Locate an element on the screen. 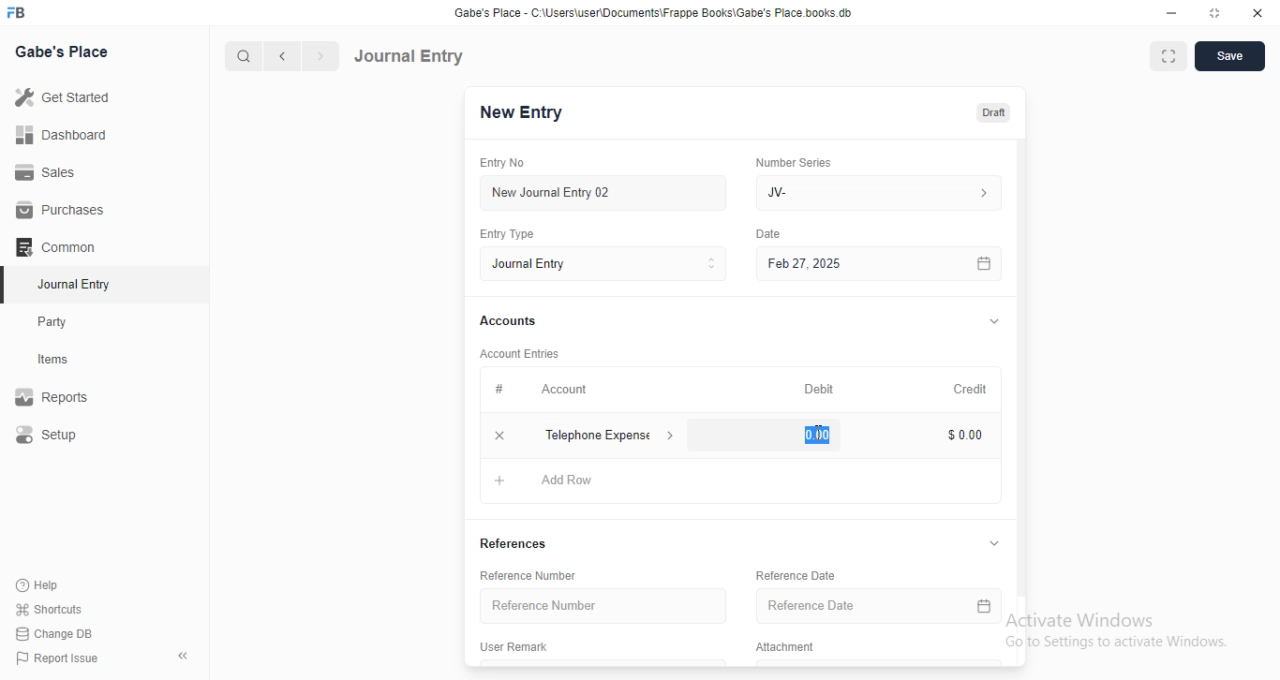 The image size is (1280, 680). | Report Issue is located at coordinates (59, 658).